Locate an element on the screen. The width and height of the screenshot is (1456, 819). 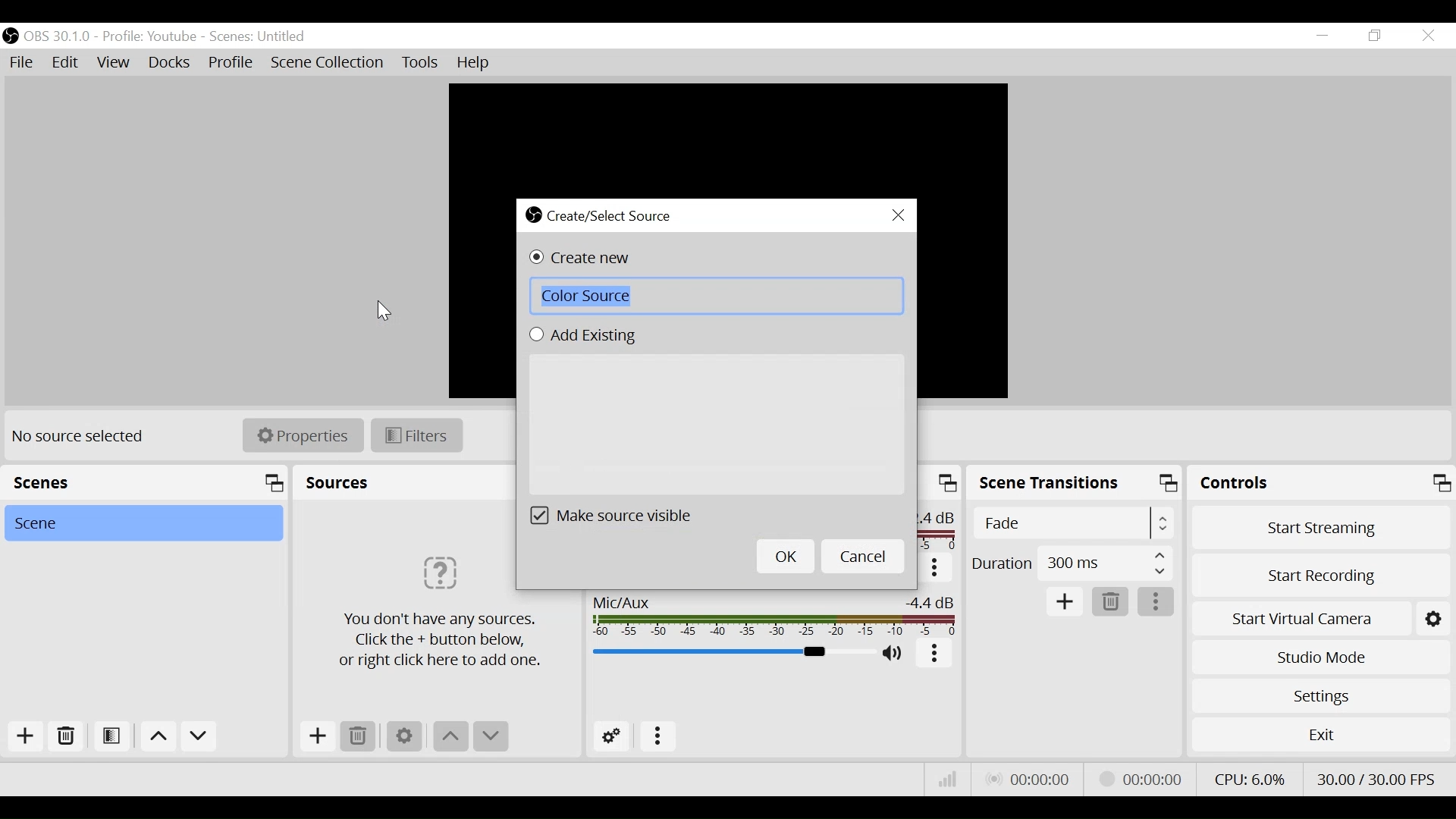
Add is located at coordinates (318, 736).